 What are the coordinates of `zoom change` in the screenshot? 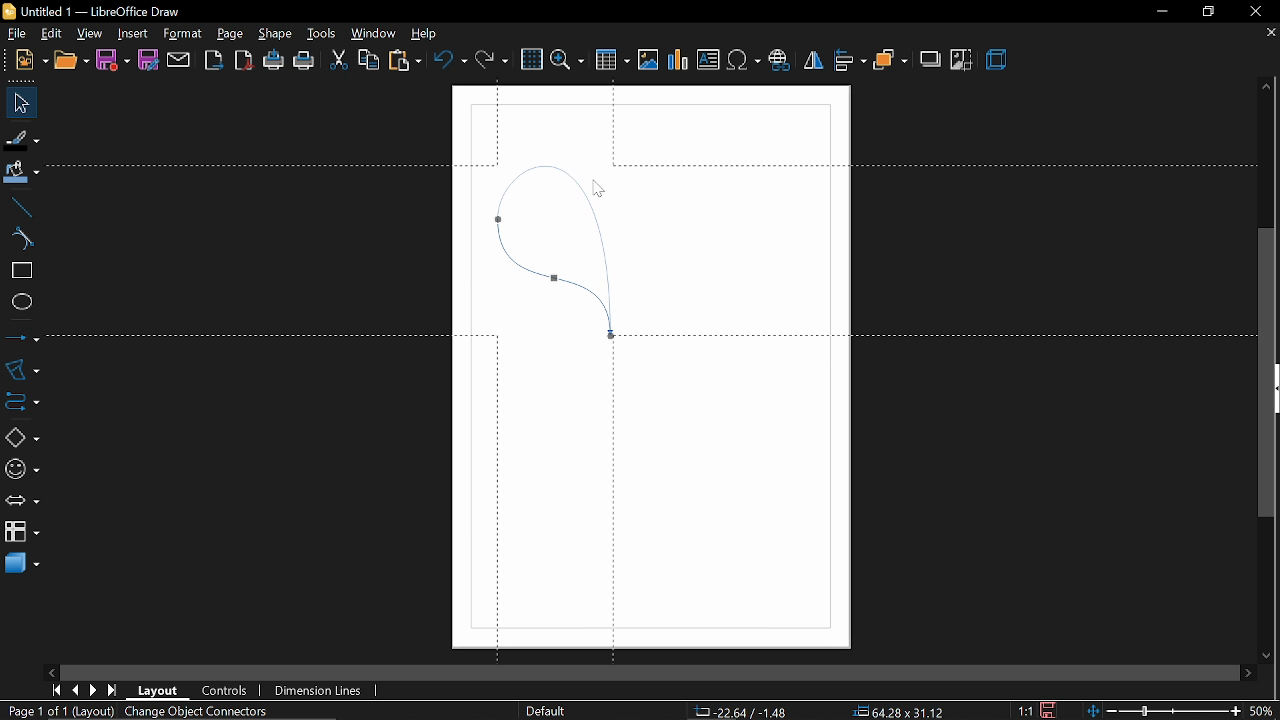 It's located at (1166, 712).